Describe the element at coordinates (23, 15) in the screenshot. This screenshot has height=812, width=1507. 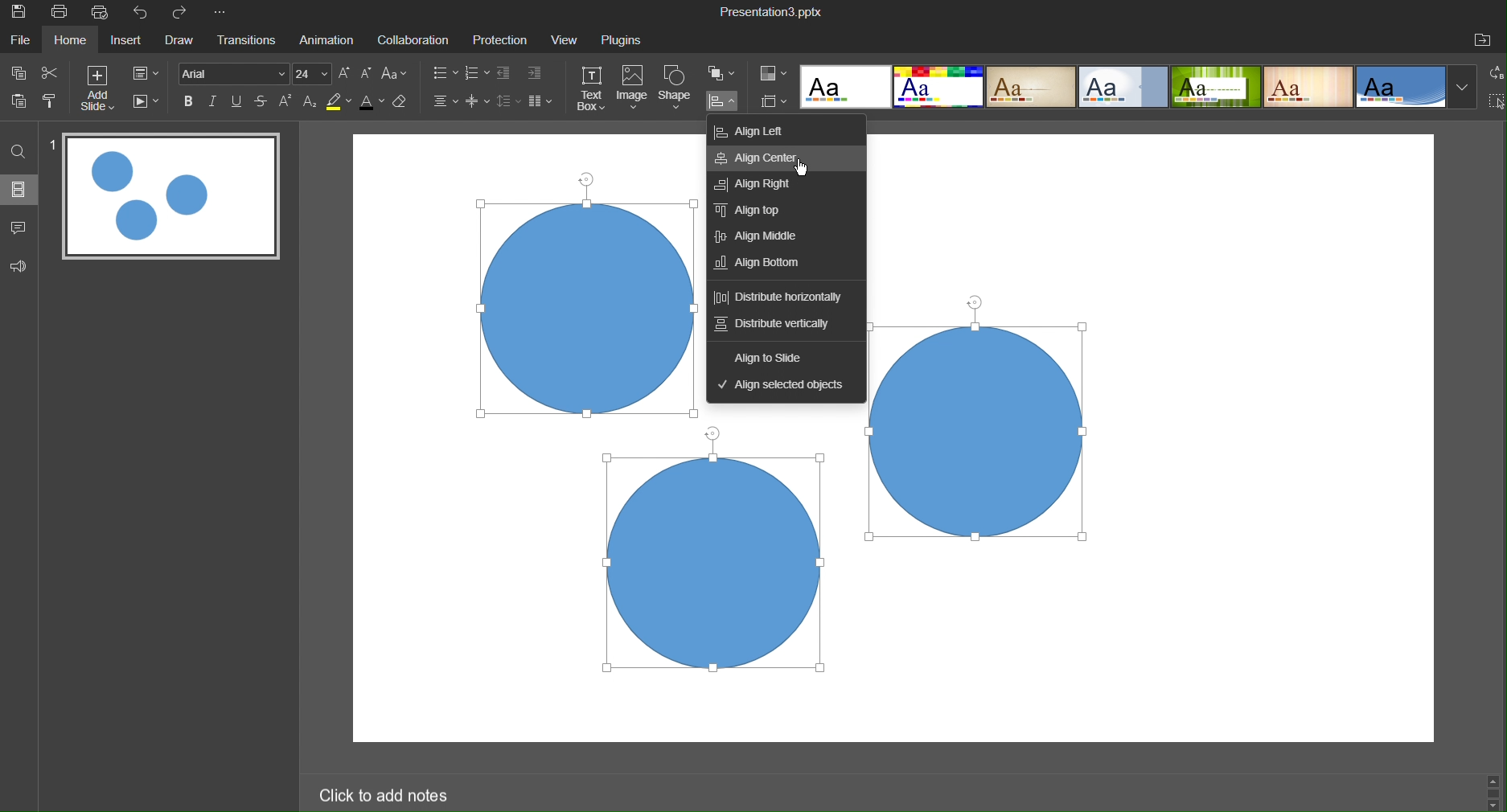
I see `Save` at that location.